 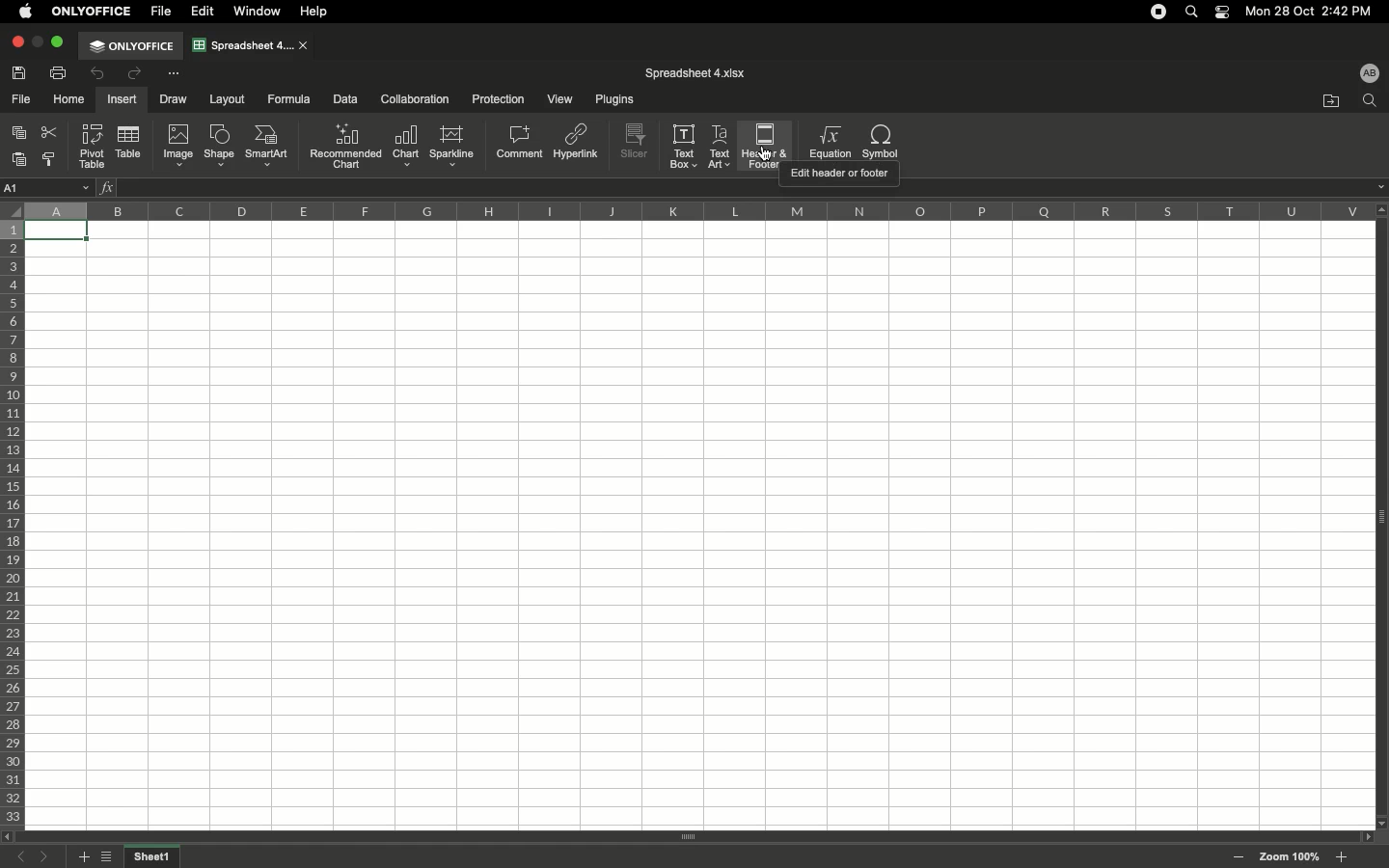 I want to click on Shape, so click(x=219, y=147).